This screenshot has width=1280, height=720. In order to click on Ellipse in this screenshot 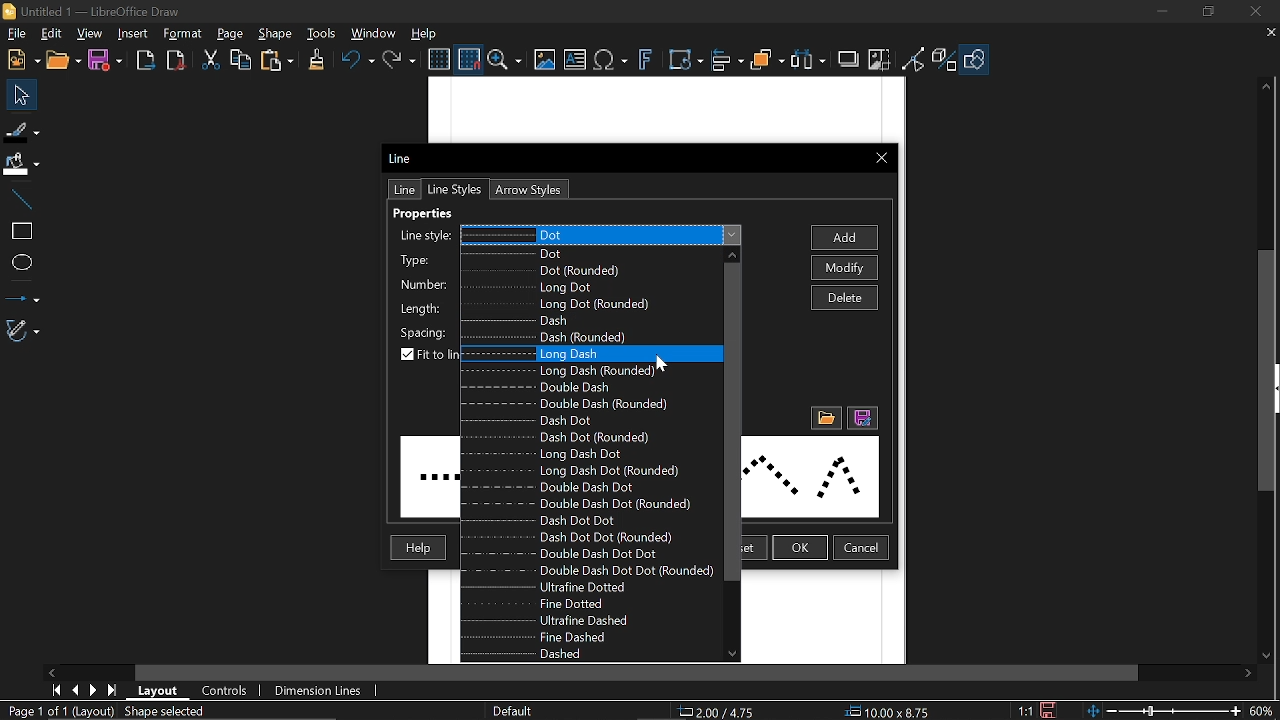, I will do `click(20, 261)`.